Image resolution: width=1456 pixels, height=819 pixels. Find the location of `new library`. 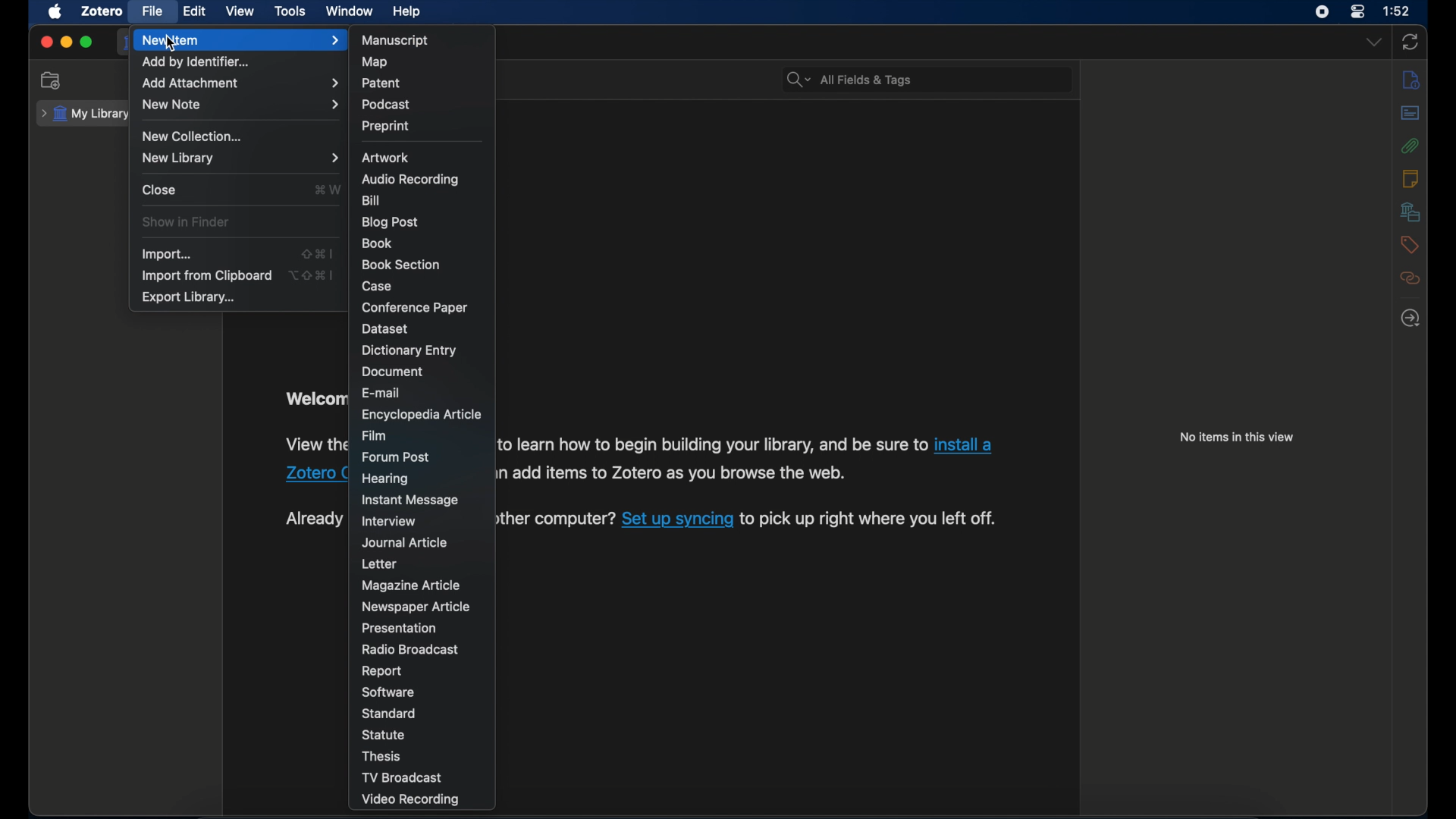

new library is located at coordinates (240, 158).